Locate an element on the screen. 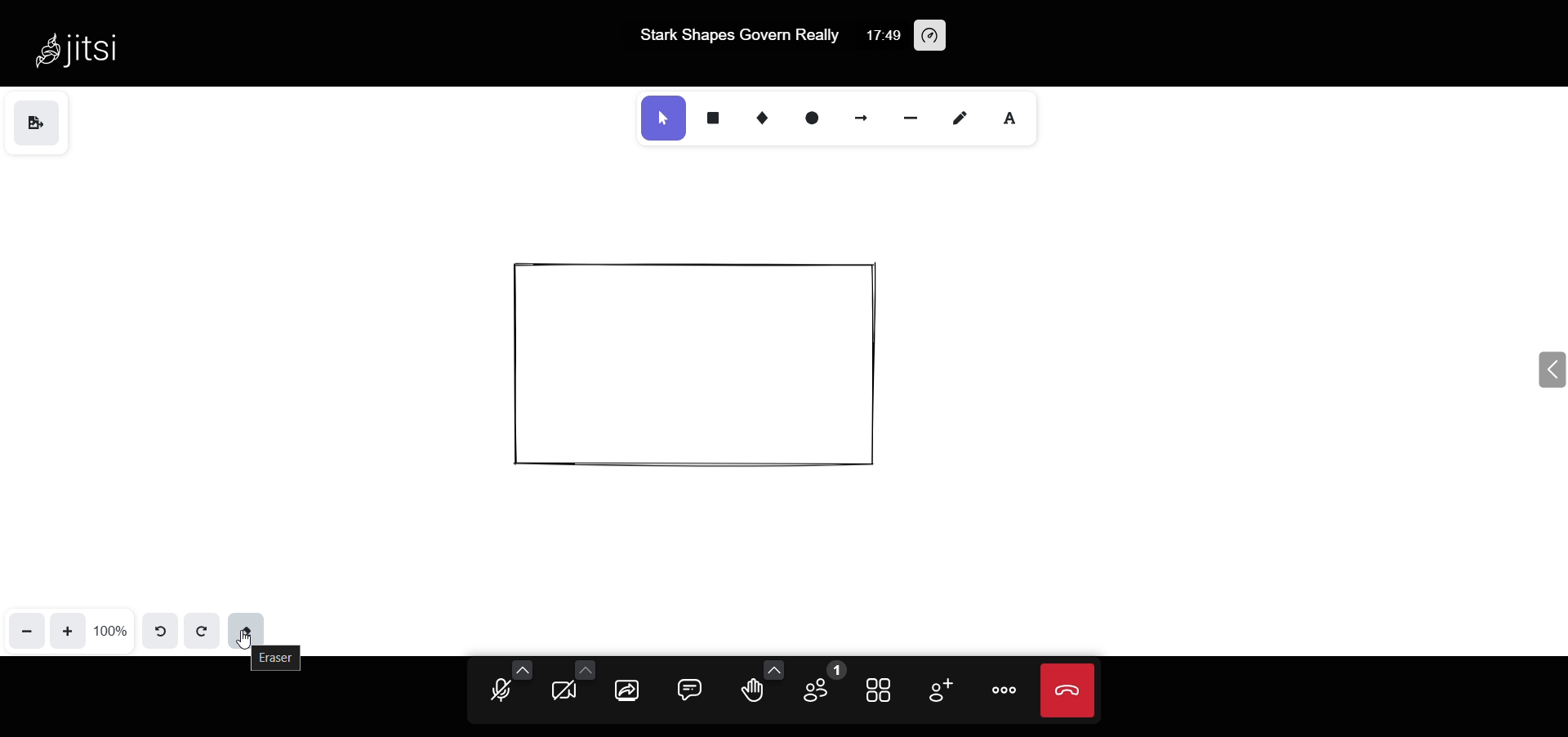 This screenshot has height=737, width=1568. line is located at coordinates (908, 117).